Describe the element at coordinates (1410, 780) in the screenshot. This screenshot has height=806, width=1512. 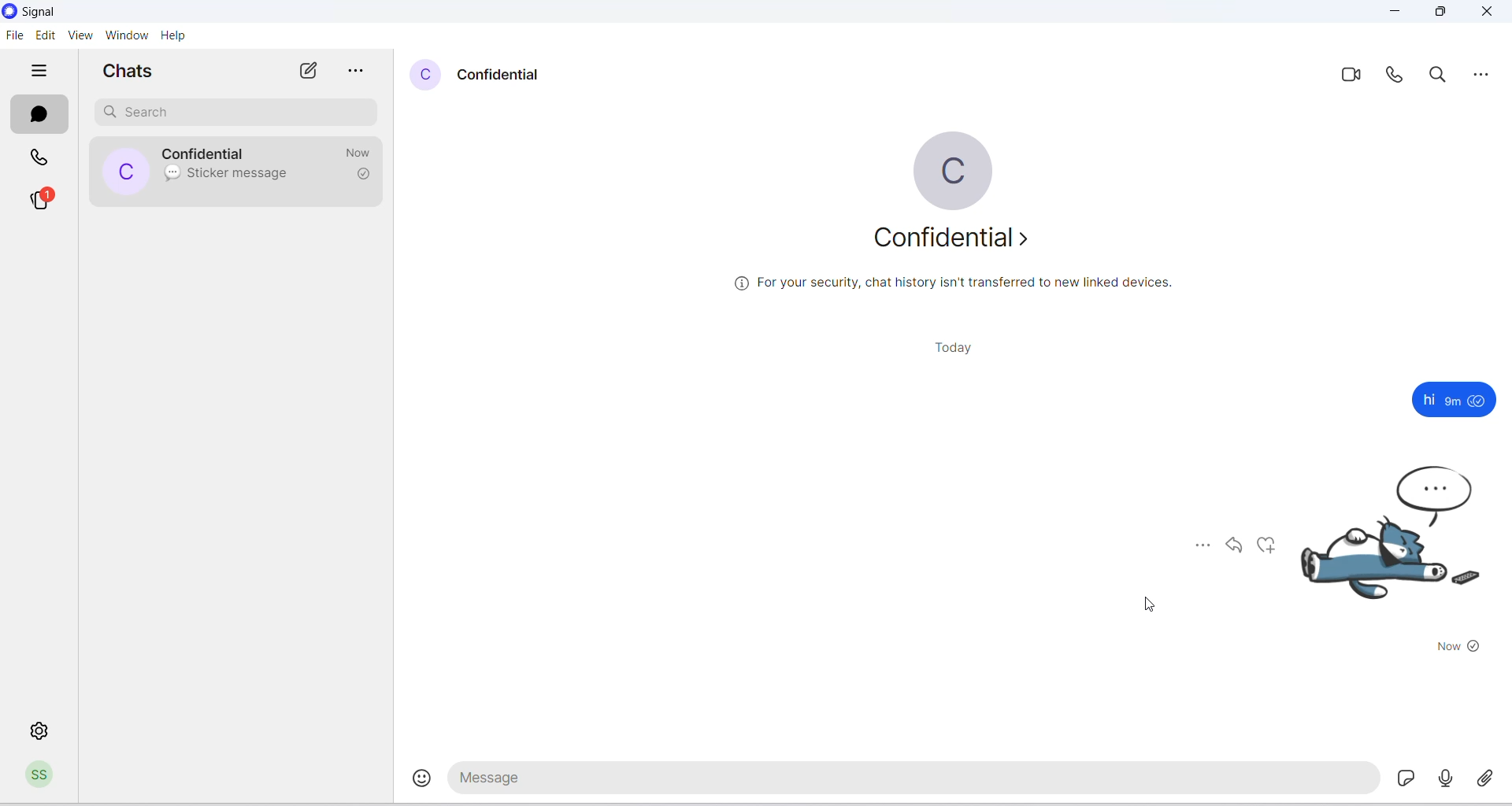
I see `sticker` at that location.